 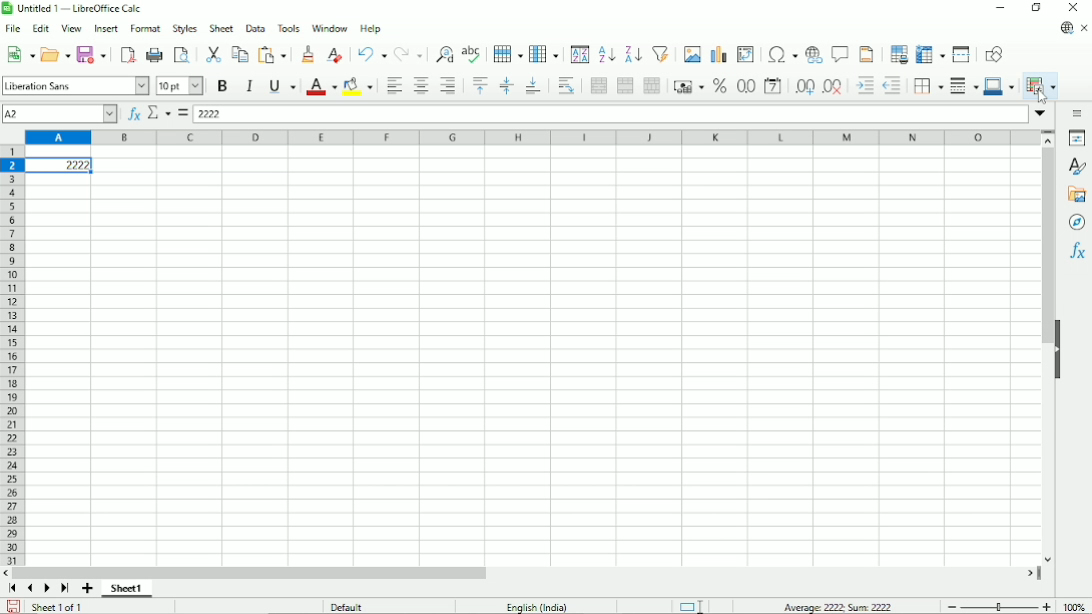 I want to click on Close, so click(x=1073, y=8).